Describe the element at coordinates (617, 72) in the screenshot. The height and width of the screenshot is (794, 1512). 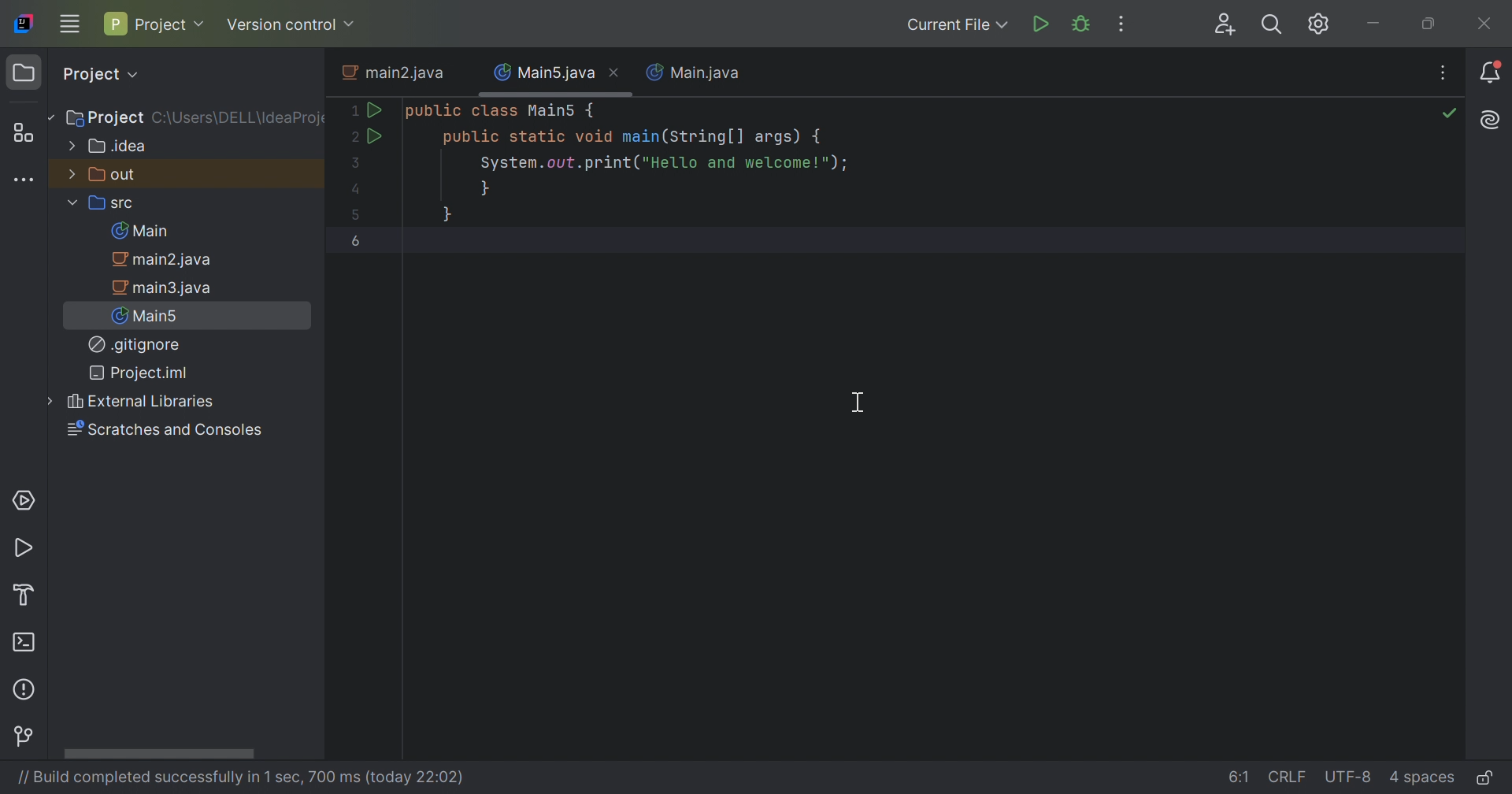
I see `Close` at that location.